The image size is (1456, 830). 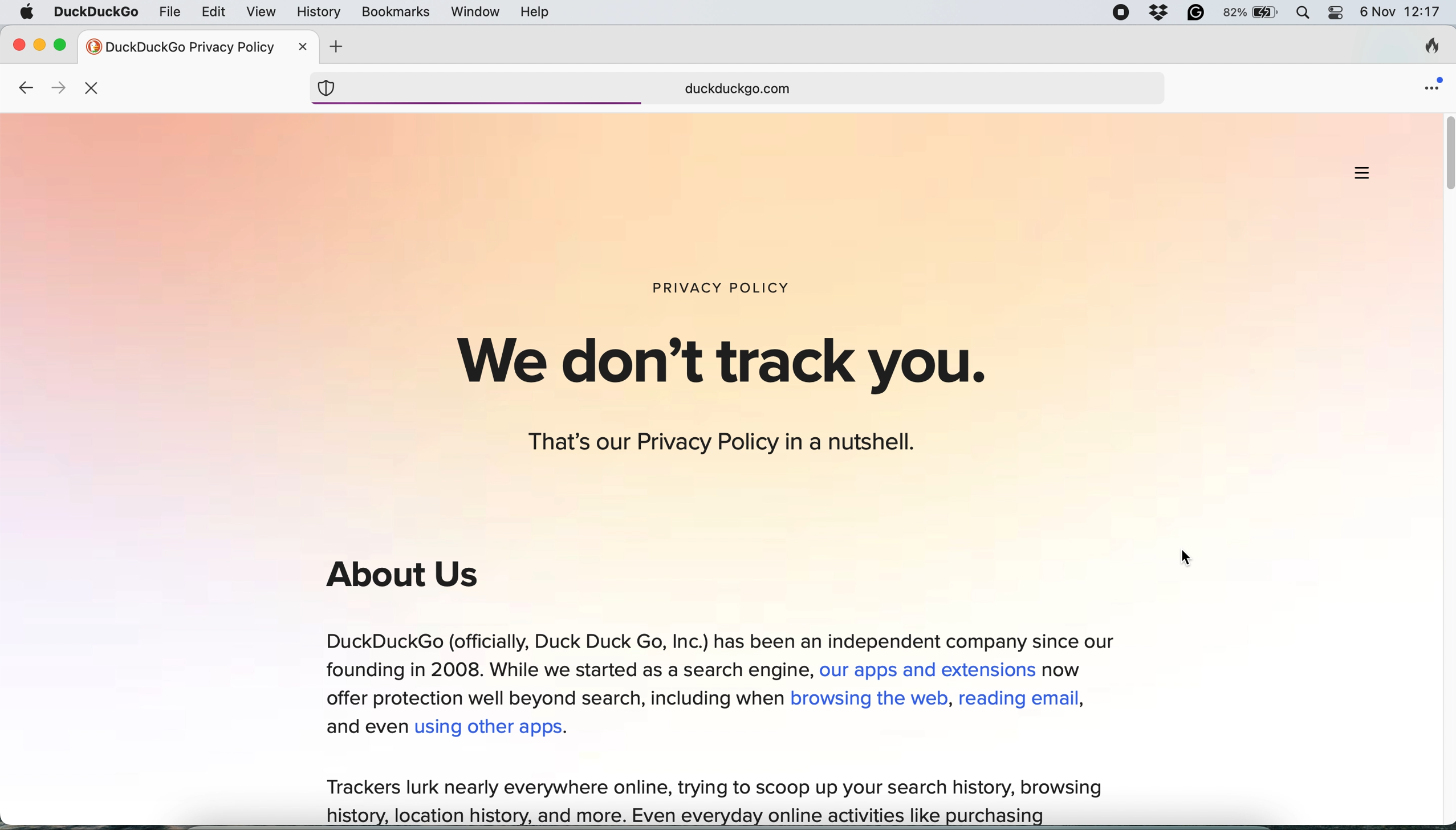 I want to click on maximise, so click(x=62, y=44).